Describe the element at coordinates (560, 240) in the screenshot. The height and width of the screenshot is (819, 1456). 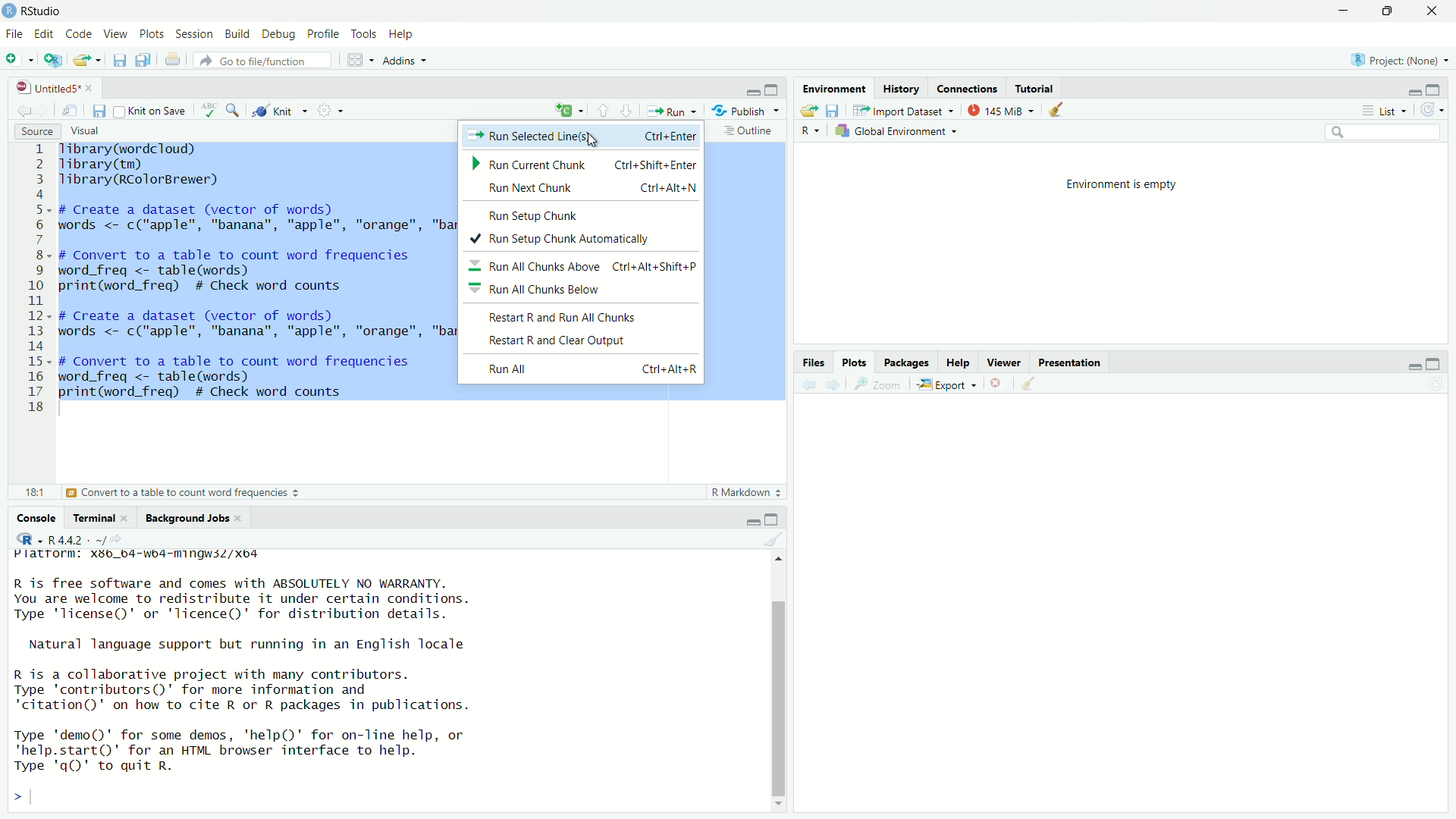
I see `Run Setup chunk Automatically` at that location.